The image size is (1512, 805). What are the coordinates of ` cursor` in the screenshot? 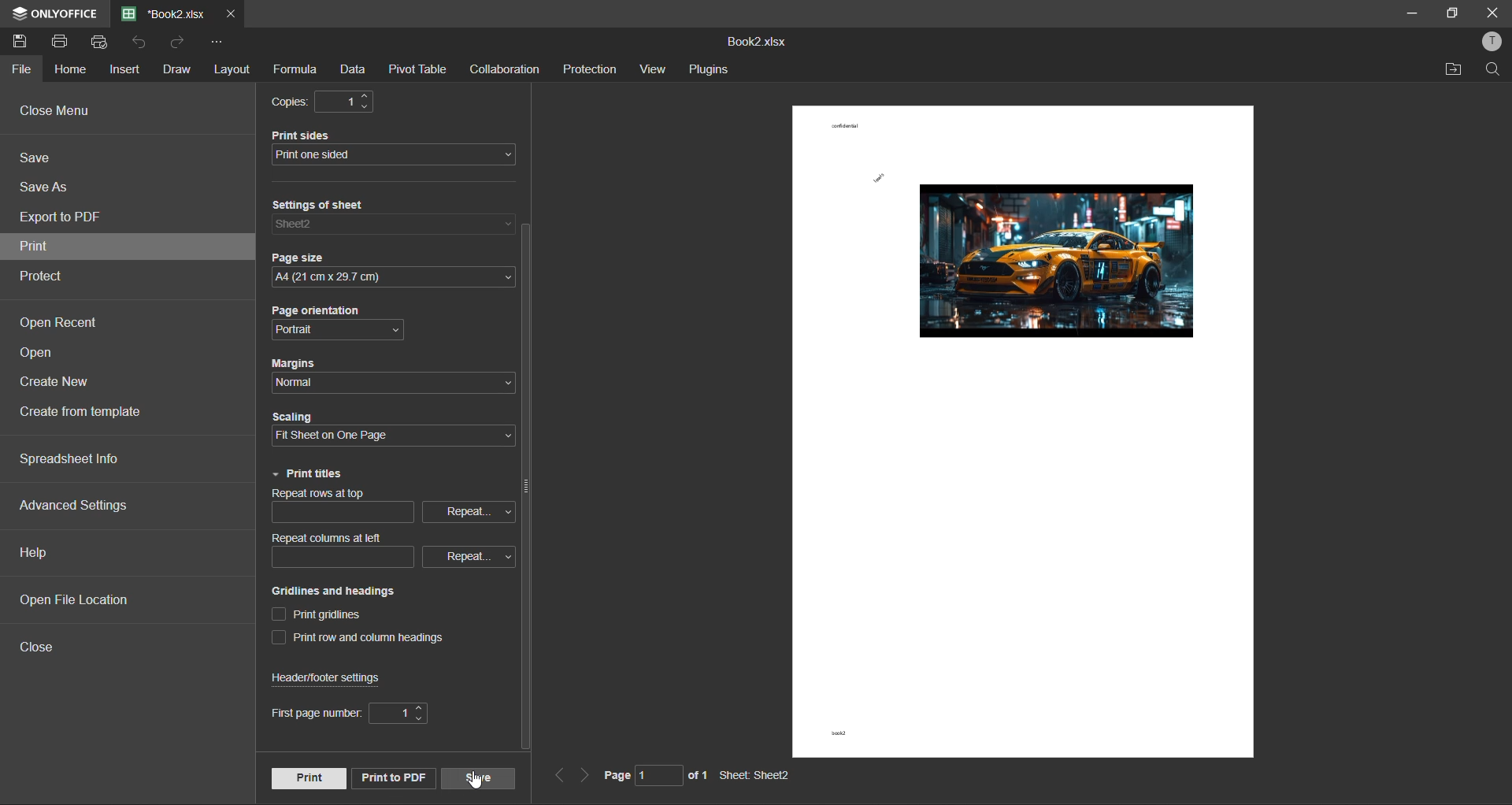 It's located at (476, 781).